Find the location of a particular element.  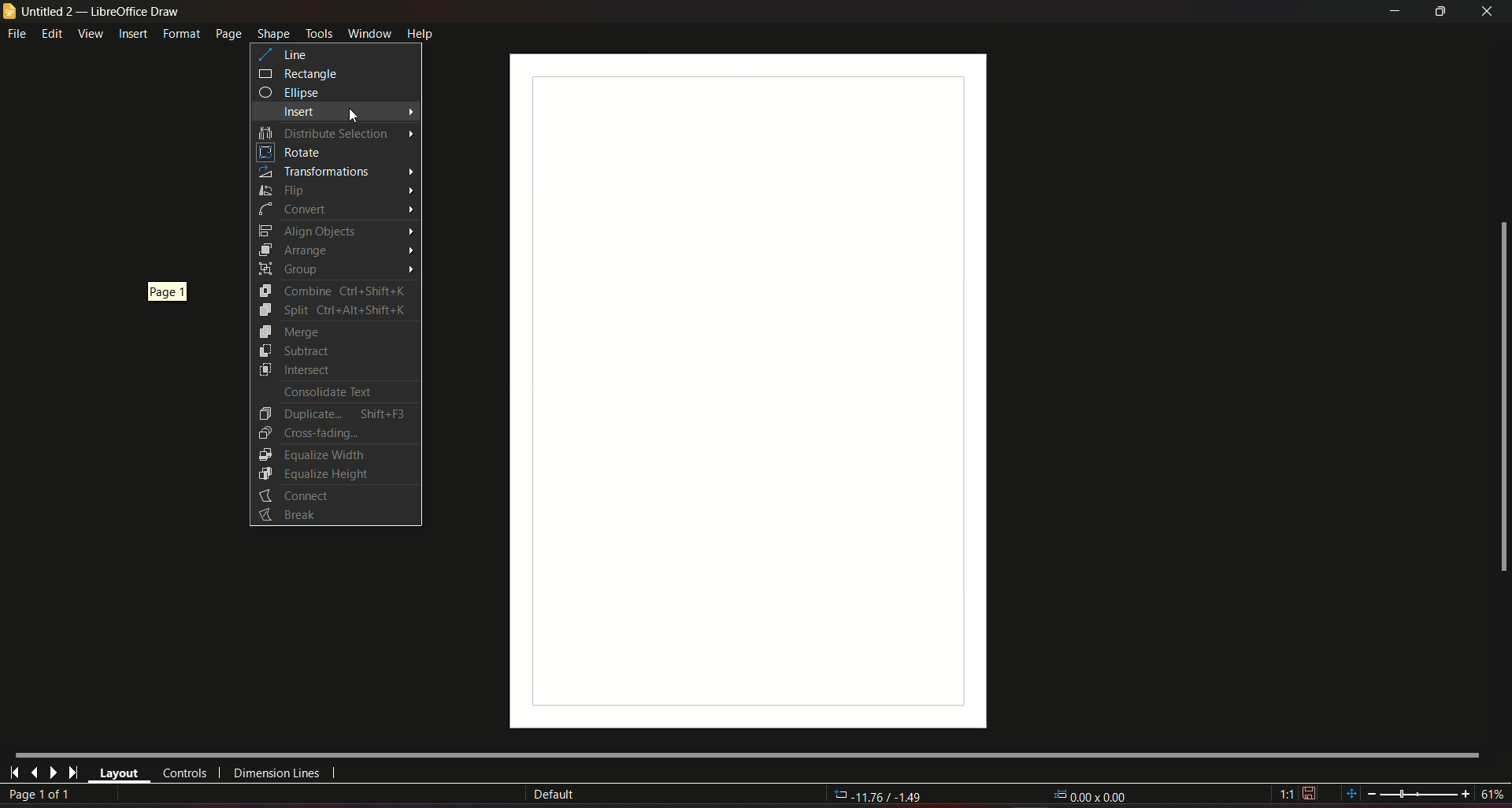

Arrow is located at coordinates (407, 249).